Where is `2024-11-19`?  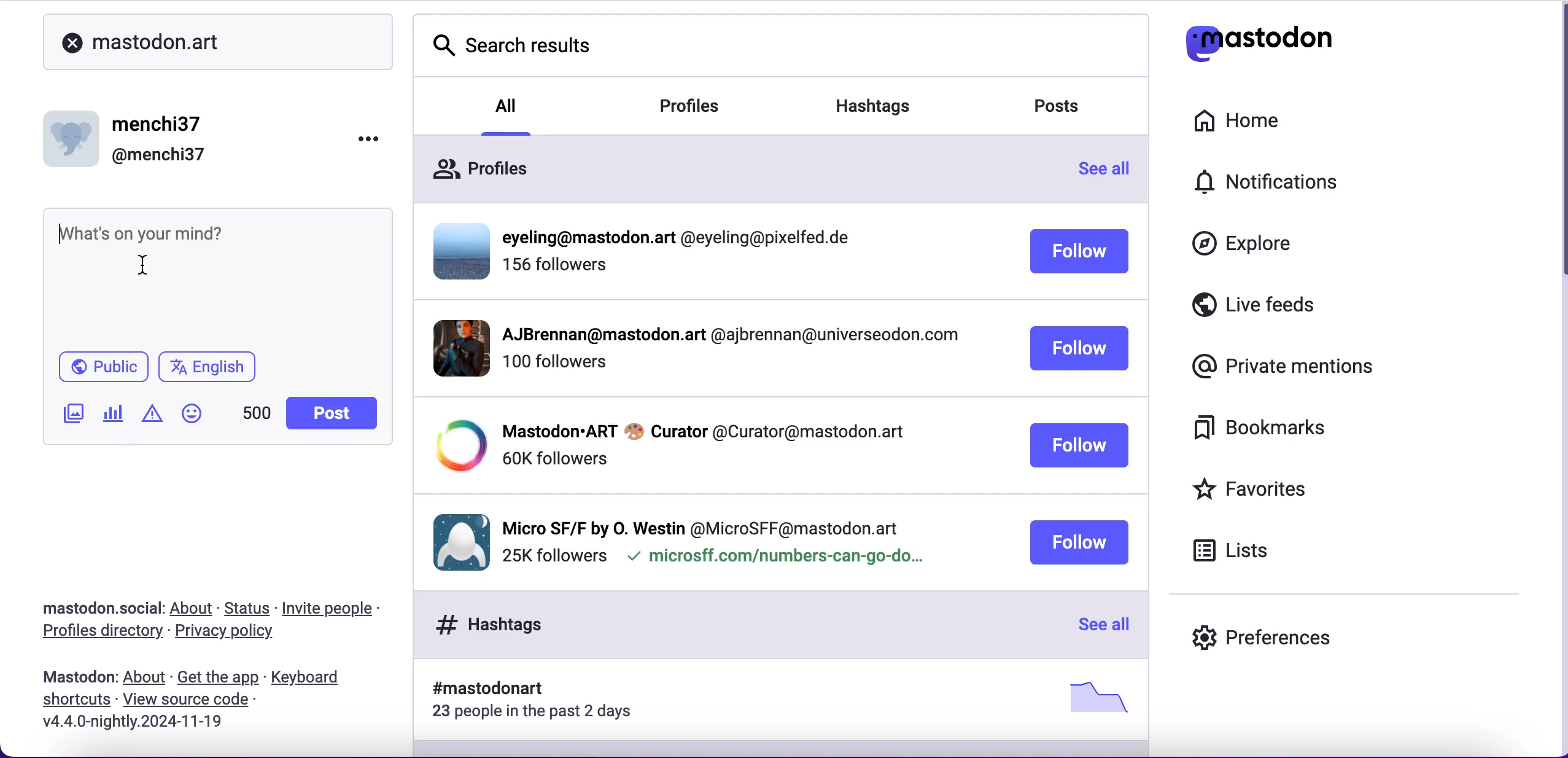 2024-11-19 is located at coordinates (166, 726).